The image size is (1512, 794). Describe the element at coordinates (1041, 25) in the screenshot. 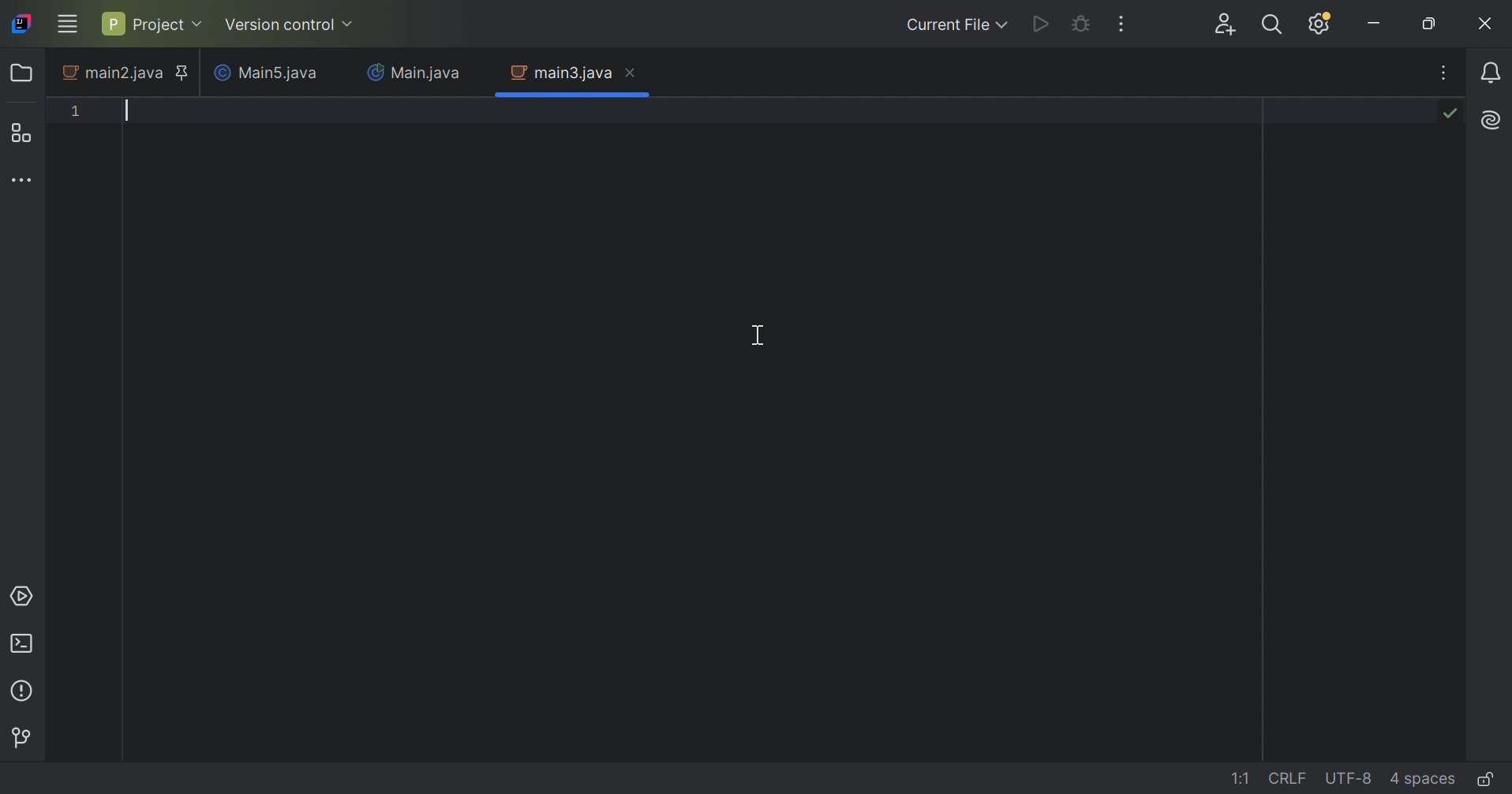

I see `Run` at that location.